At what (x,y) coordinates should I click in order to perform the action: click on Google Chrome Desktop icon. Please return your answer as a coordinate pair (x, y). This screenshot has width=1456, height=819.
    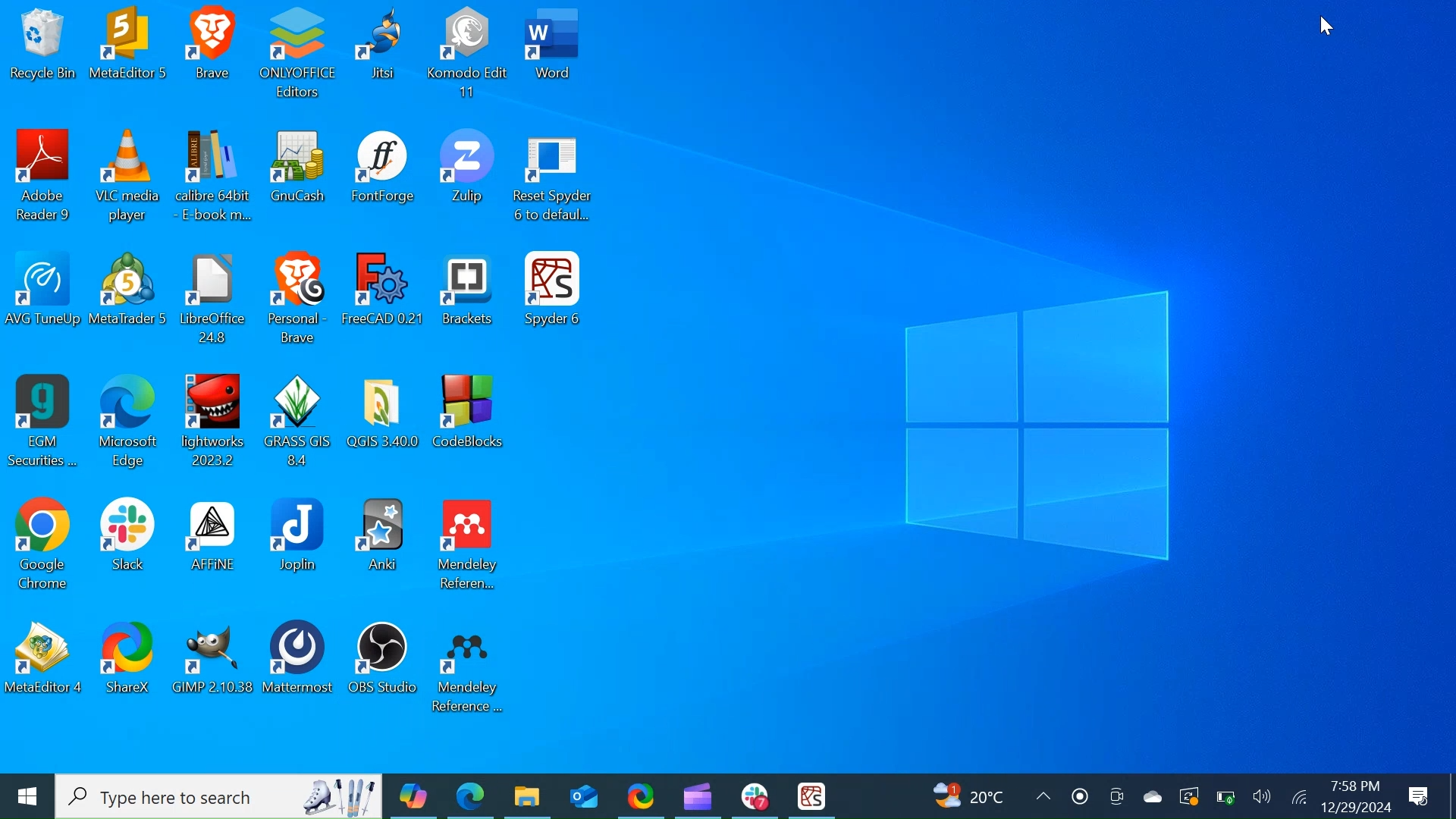
    Looking at the image, I should click on (42, 547).